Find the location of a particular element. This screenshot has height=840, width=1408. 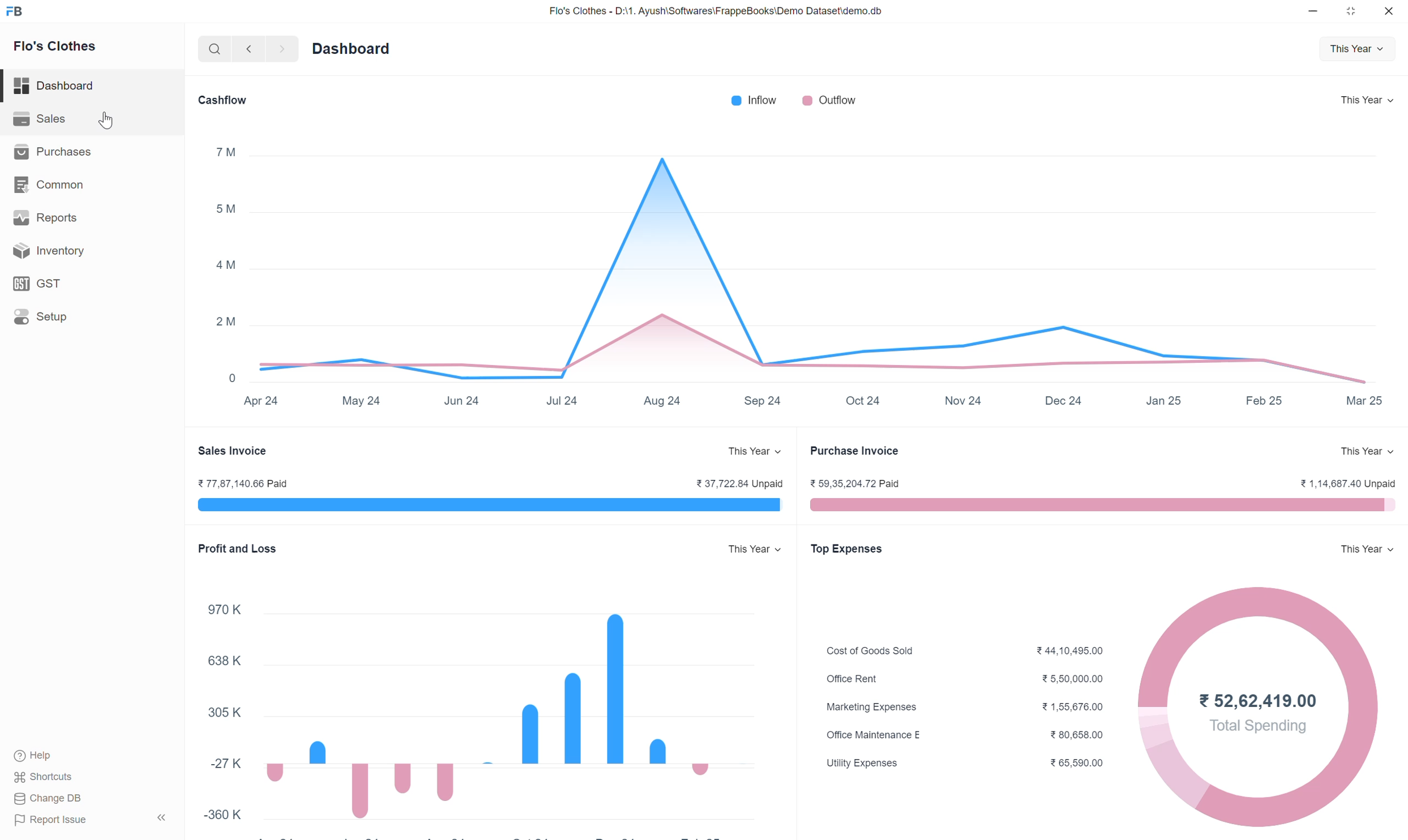

donut chart is located at coordinates (1154, 710).